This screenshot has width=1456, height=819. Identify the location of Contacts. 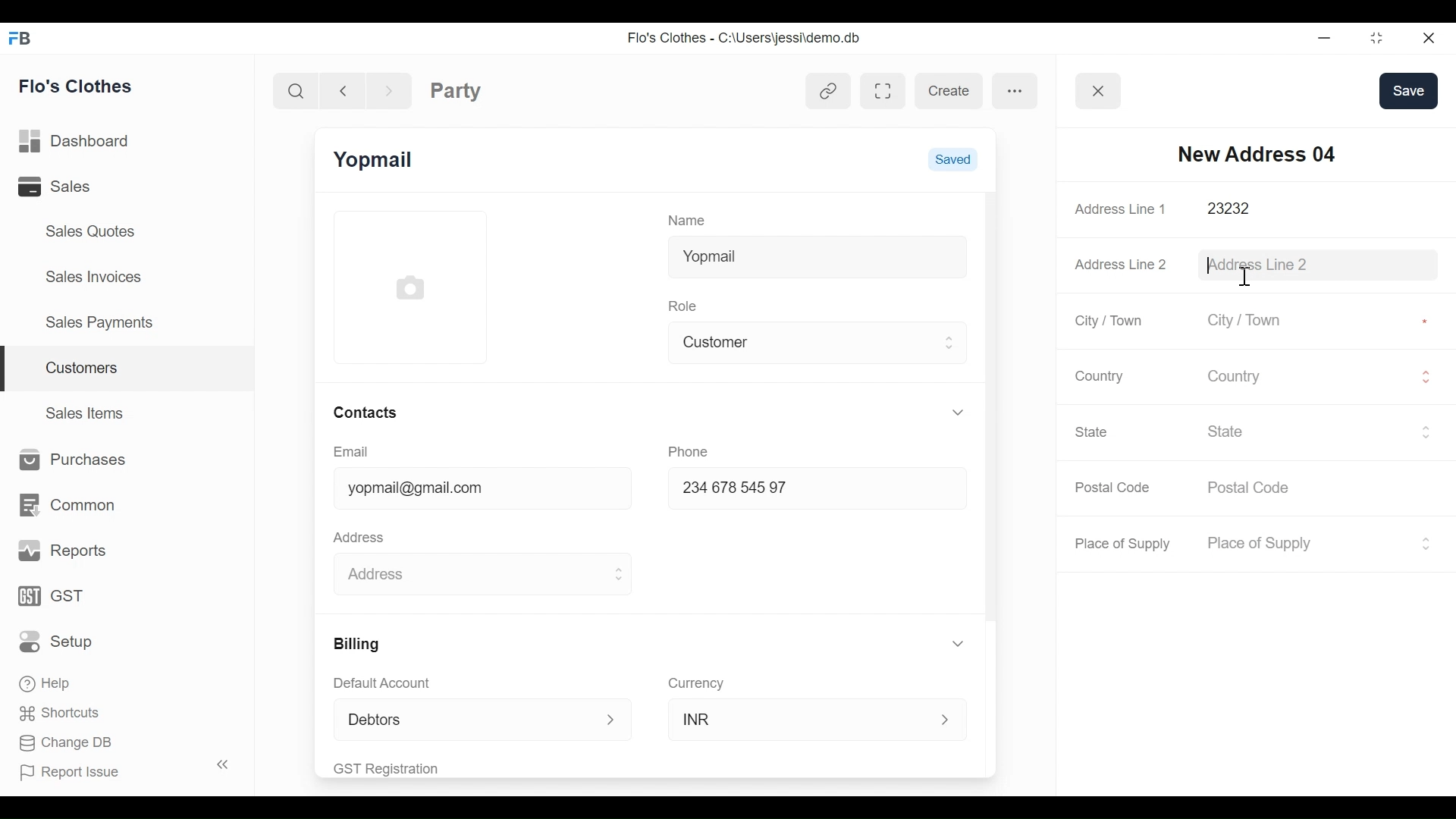
(364, 412).